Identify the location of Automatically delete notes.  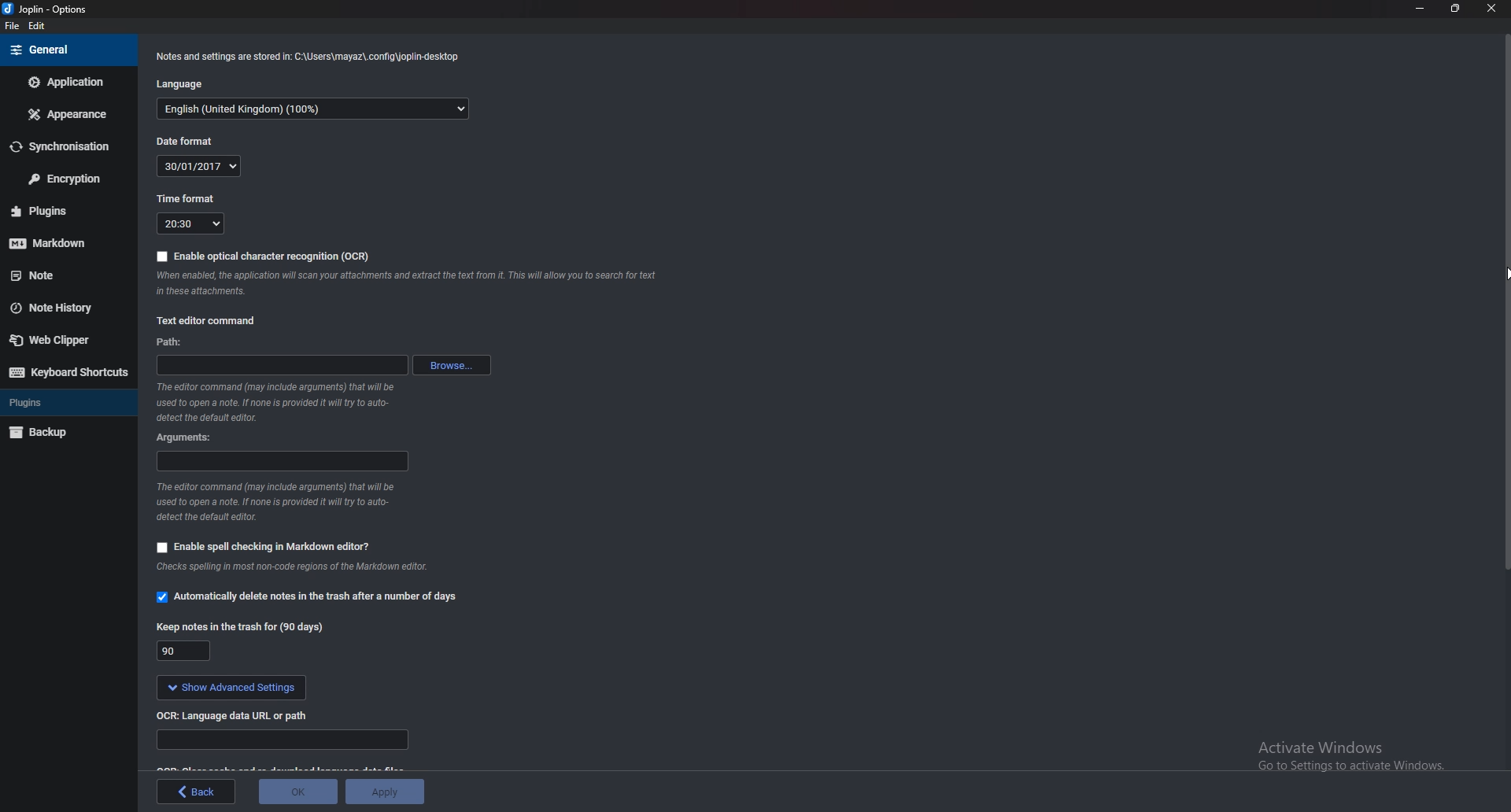
(308, 596).